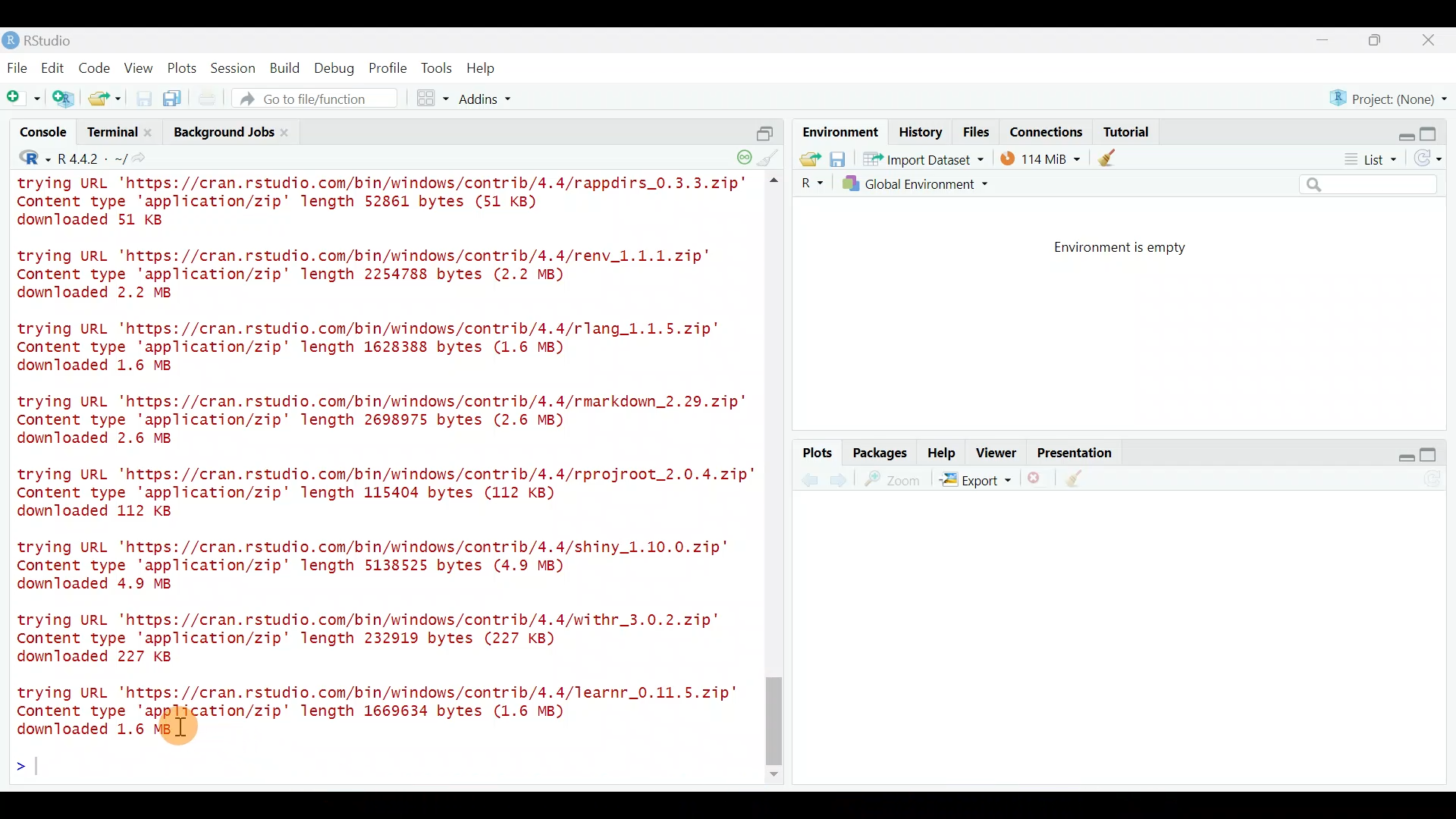  Describe the element at coordinates (838, 159) in the screenshot. I see `save workspace as` at that location.